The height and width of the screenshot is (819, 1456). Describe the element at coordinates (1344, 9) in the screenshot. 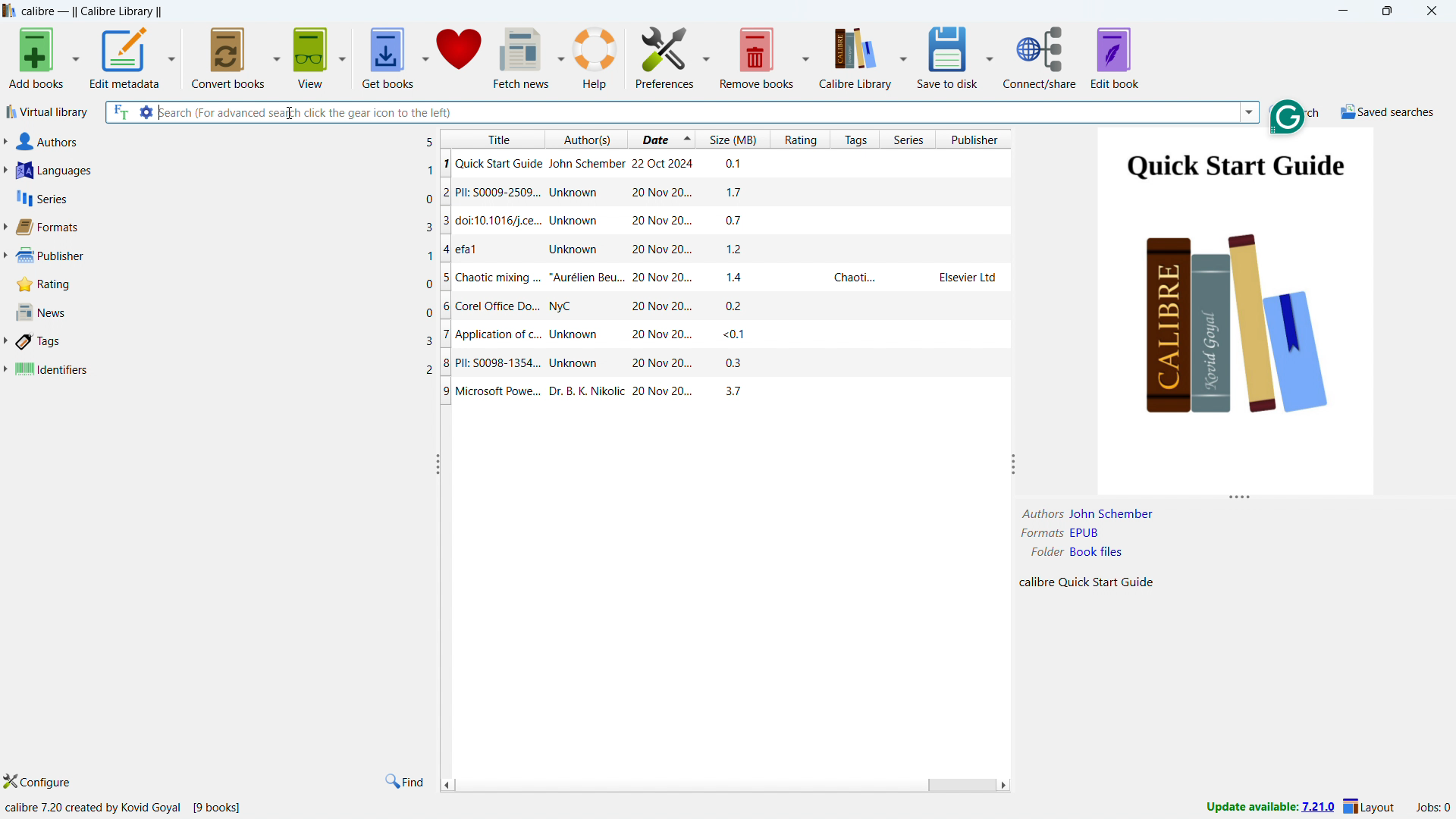

I see `minimize` at that location.